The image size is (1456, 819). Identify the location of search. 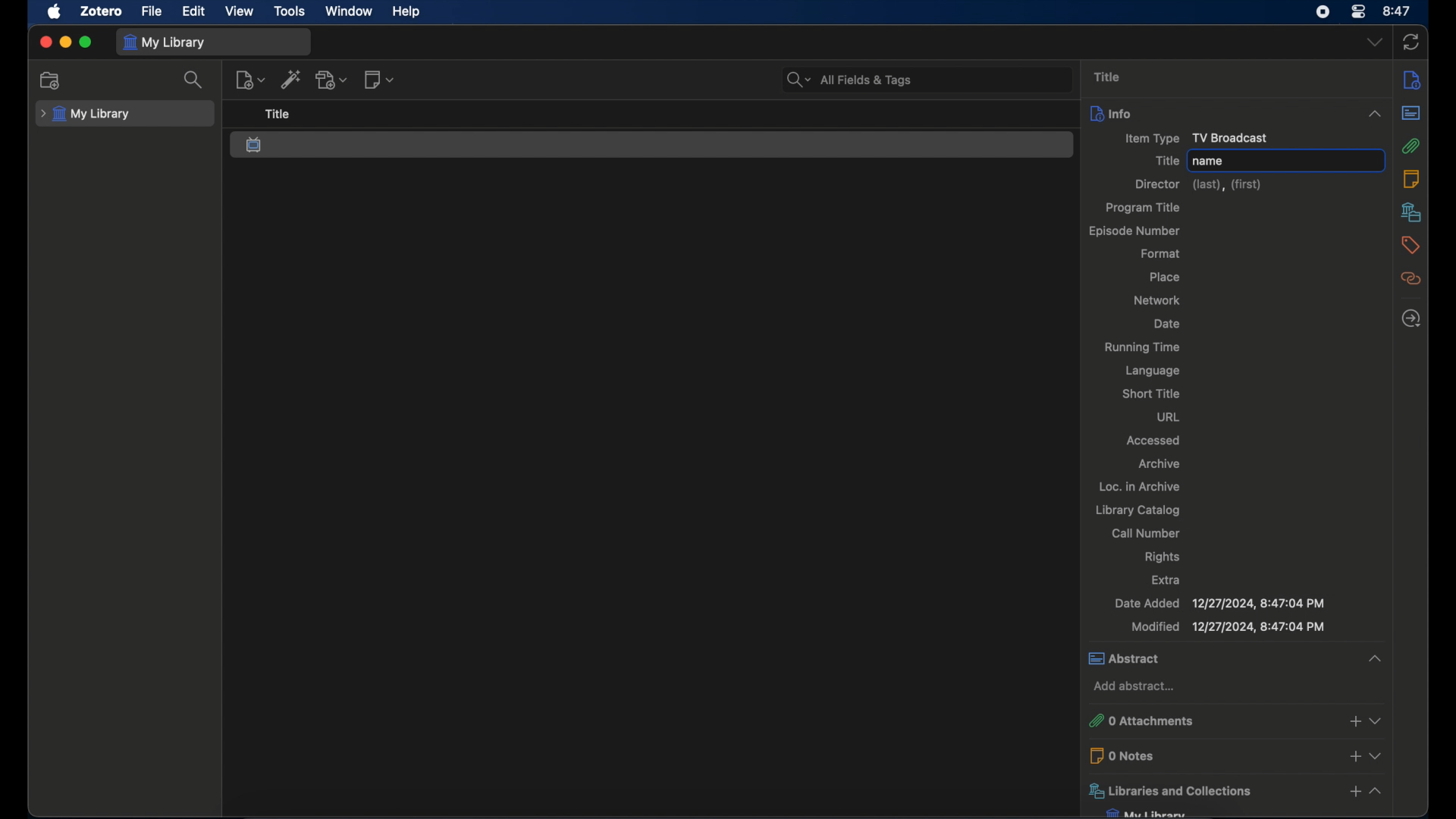
(195, 80).